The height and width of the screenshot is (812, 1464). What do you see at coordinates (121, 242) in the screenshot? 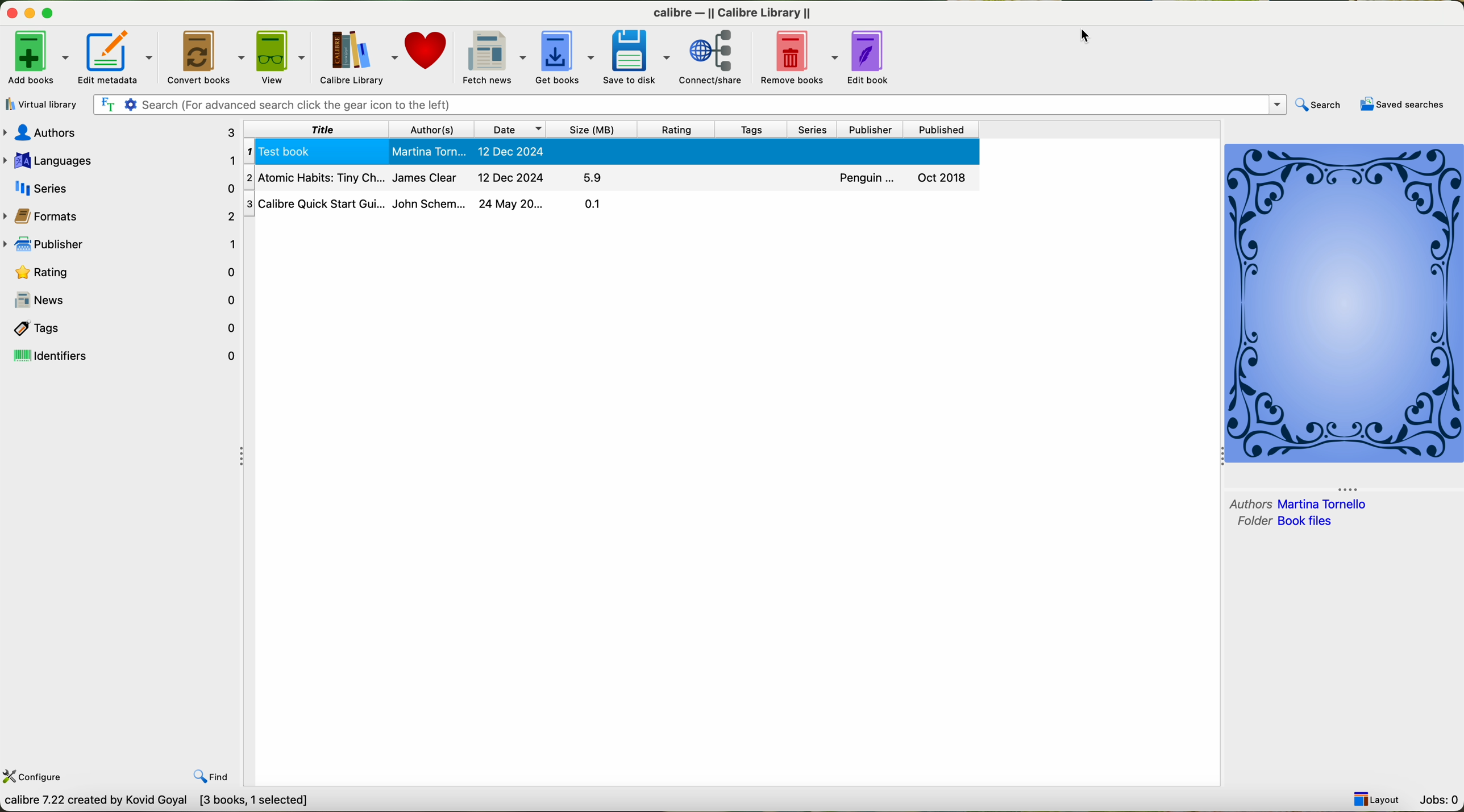
I see `publisher` at bounding box center [121, 242].